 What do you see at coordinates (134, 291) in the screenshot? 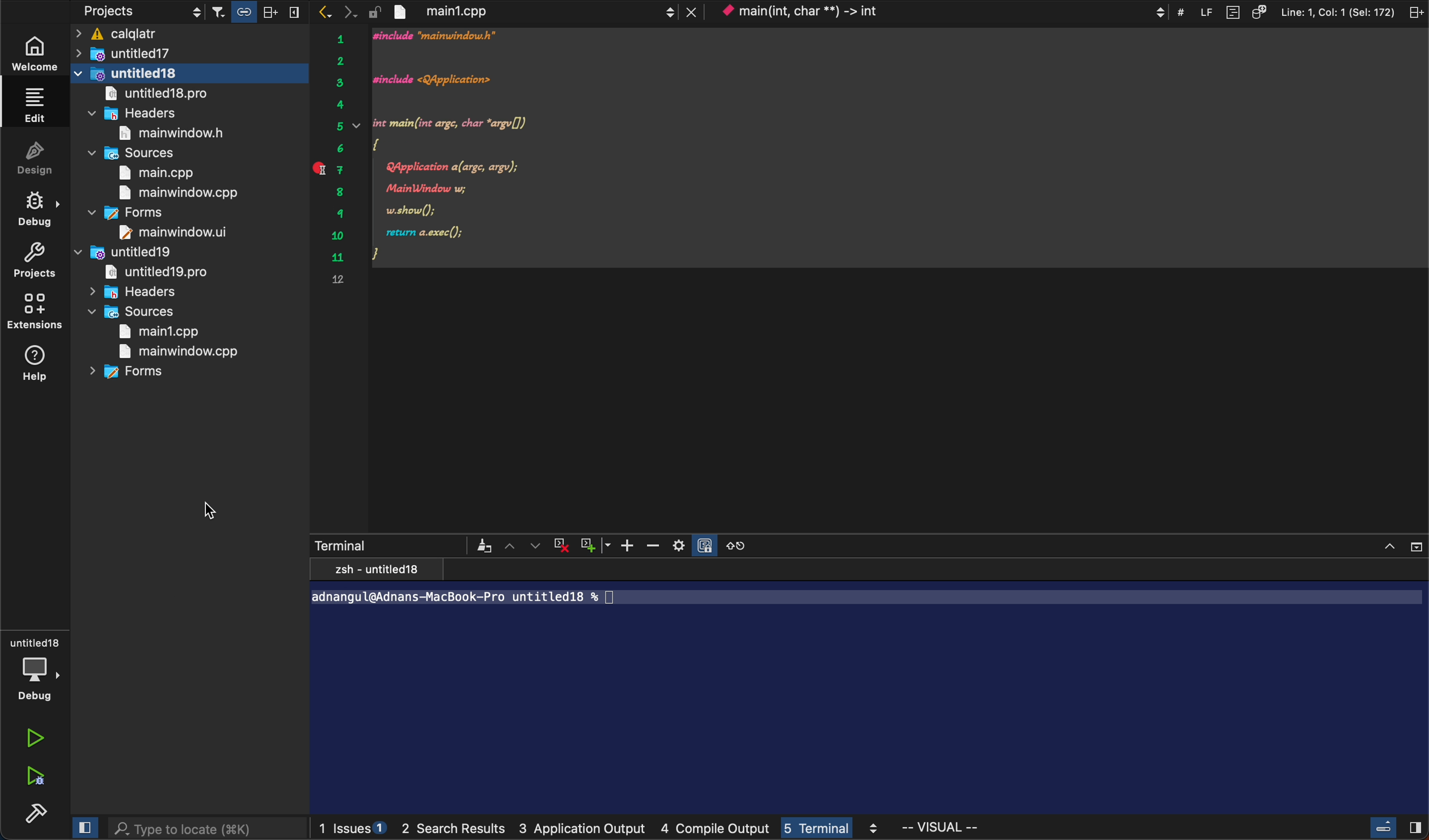
I see `headers` at bounding box center [134, 291].